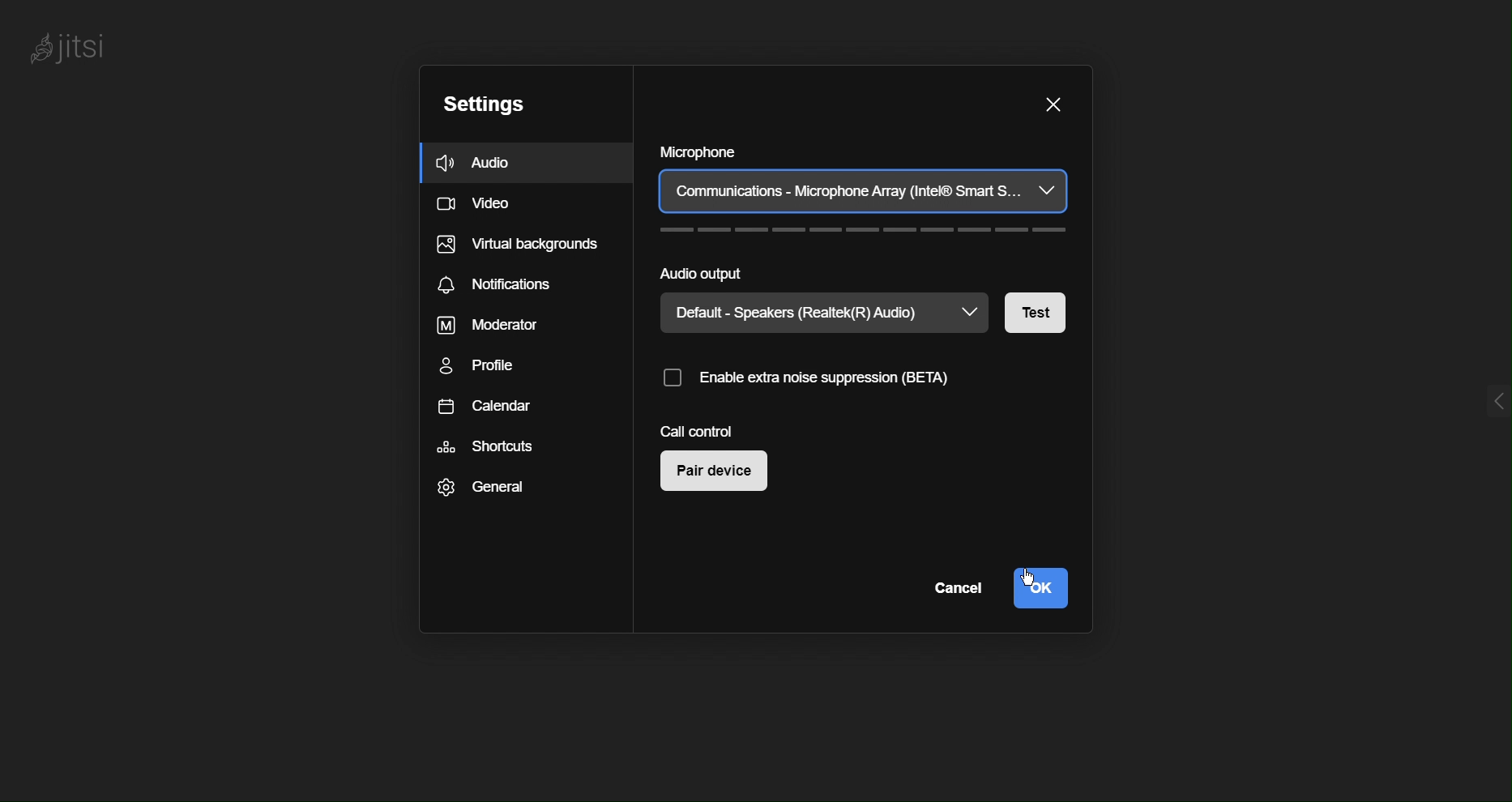  What do you see at coordinates (483, 367) in the screenshot?
I see `Profile` at bounding box center [483, 367].